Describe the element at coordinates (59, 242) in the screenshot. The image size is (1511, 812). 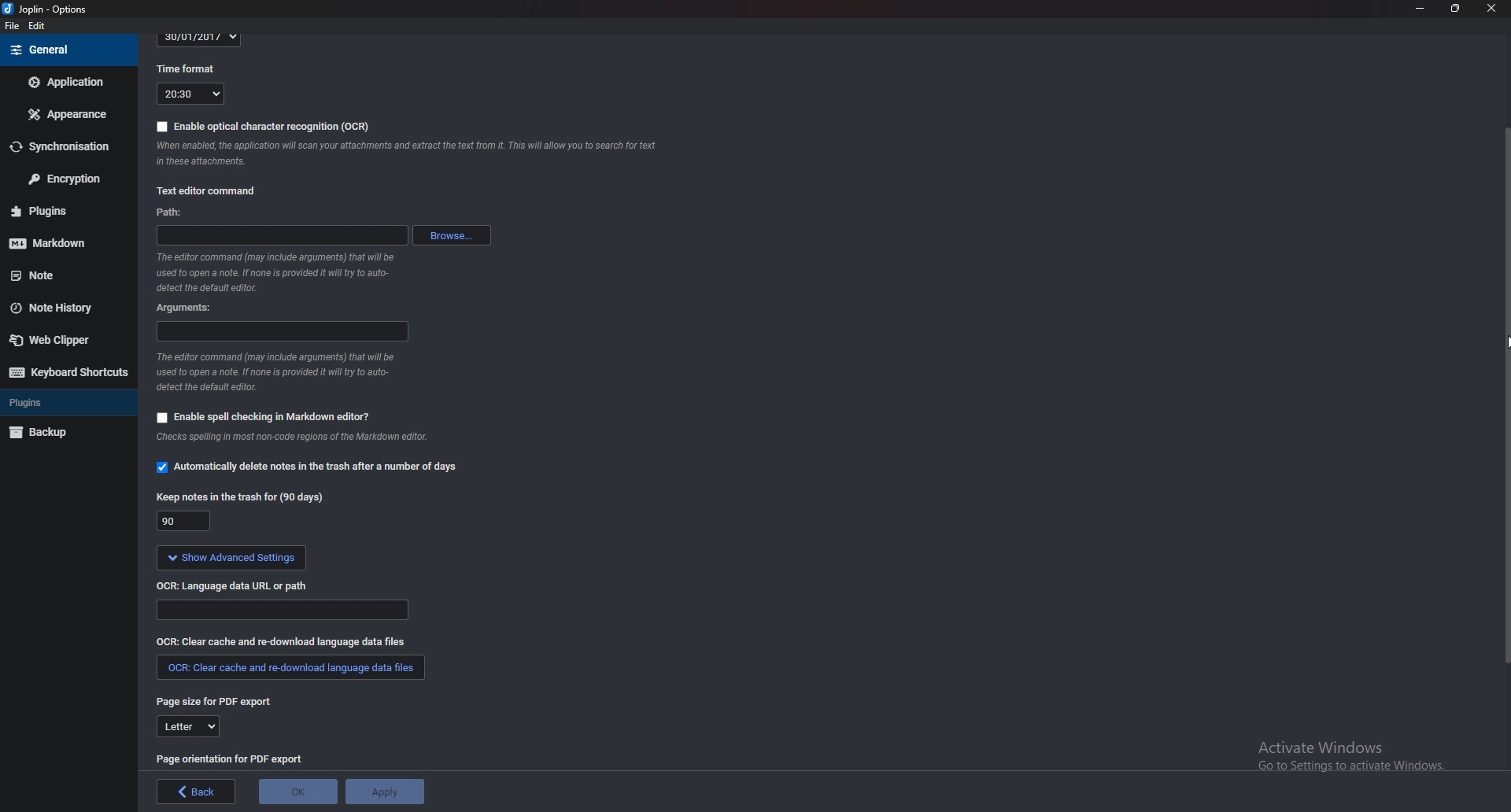
I see `Markdown` at that location.